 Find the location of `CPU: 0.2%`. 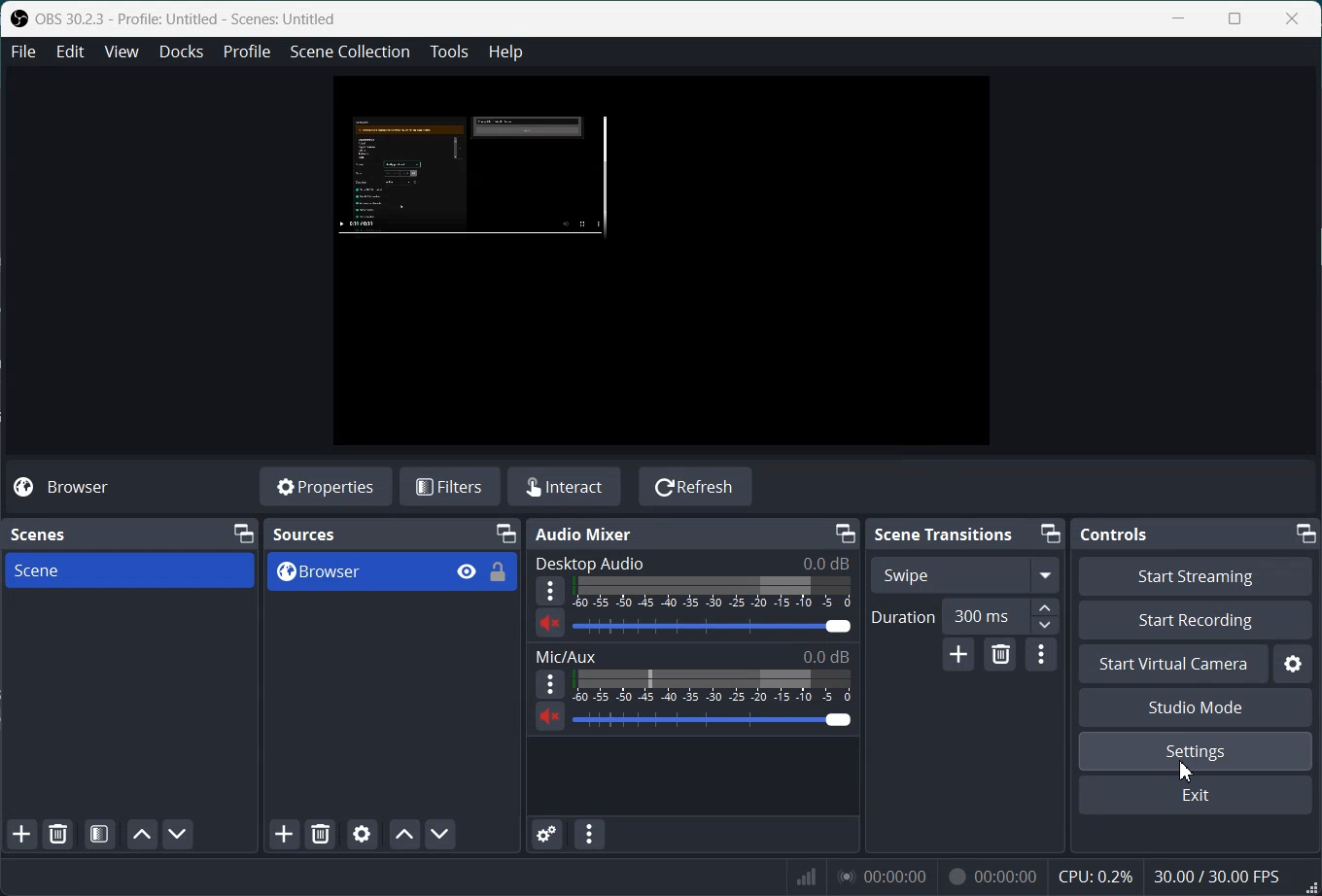

CPU: 0.2% is located at coordinates (1095, 875).